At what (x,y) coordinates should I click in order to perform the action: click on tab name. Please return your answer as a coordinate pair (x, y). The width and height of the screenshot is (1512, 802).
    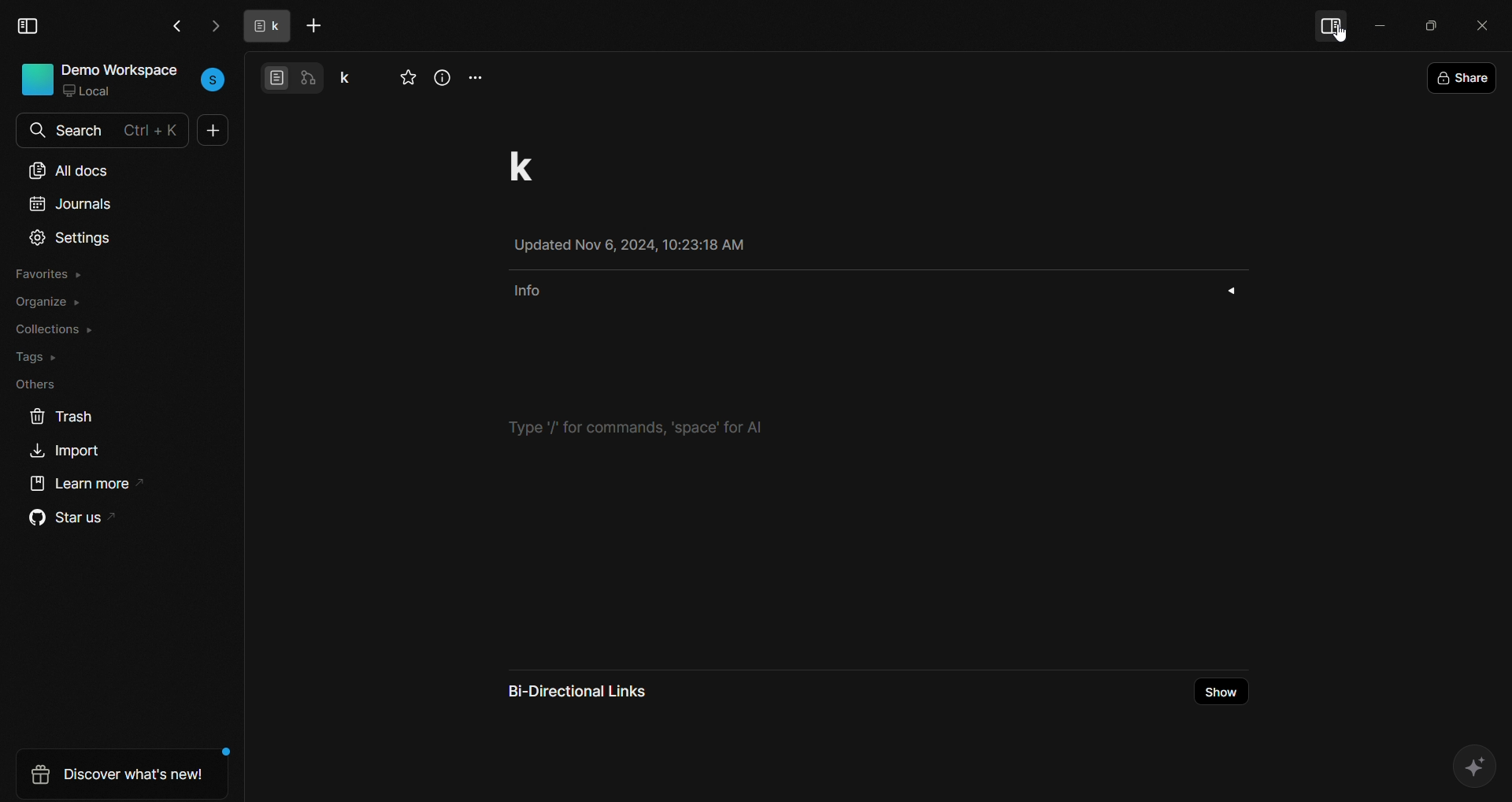
    Looking at the image, I should click on (262, 27).